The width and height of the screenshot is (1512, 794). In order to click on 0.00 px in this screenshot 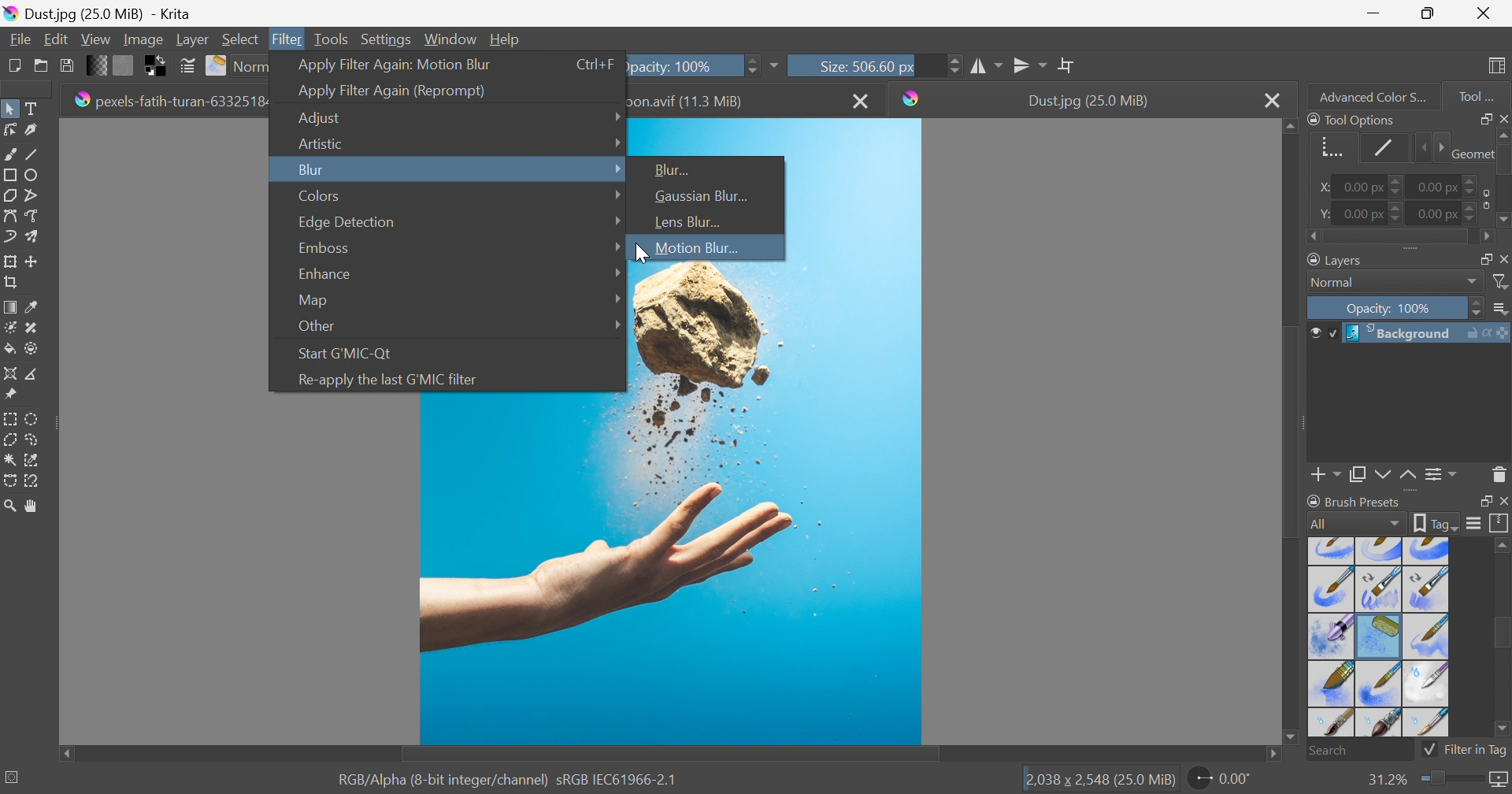, I will do `click(1361, 187)`.